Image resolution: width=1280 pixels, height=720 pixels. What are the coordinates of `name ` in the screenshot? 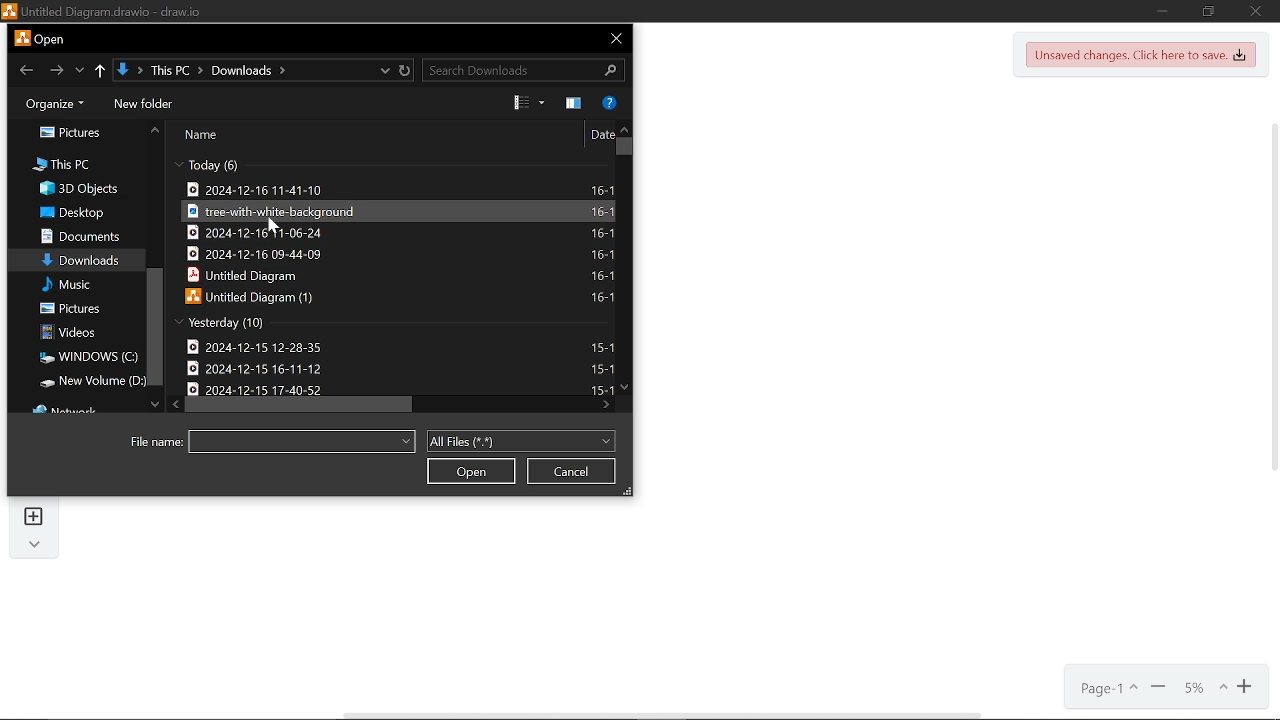 It's located at (202, 135).